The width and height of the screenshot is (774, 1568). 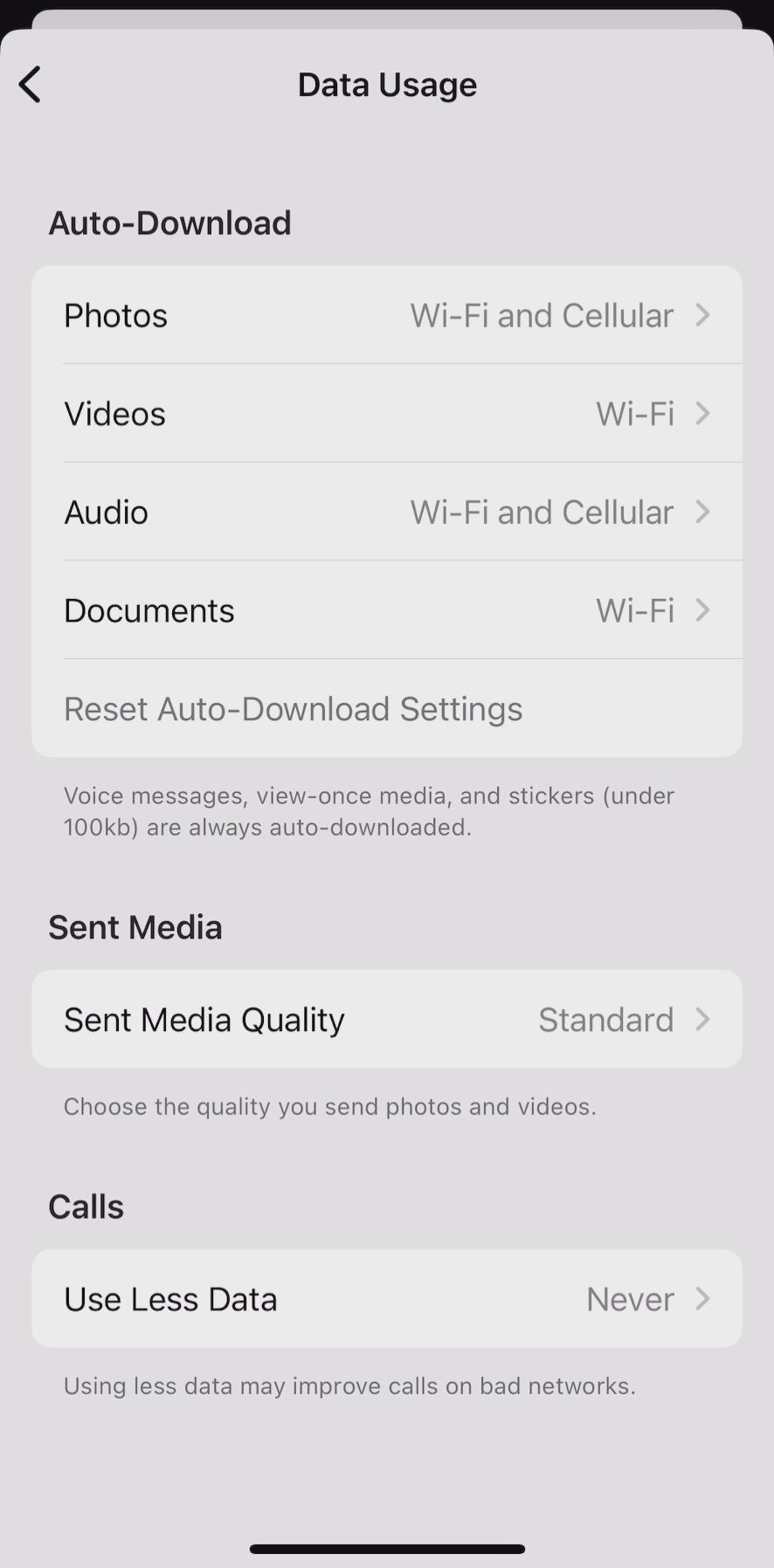 What do you see at coordinates (389, 513) in the screenshot?
I see `Audio Wi-Fi and Cellular` at bounding box center [389, 513].